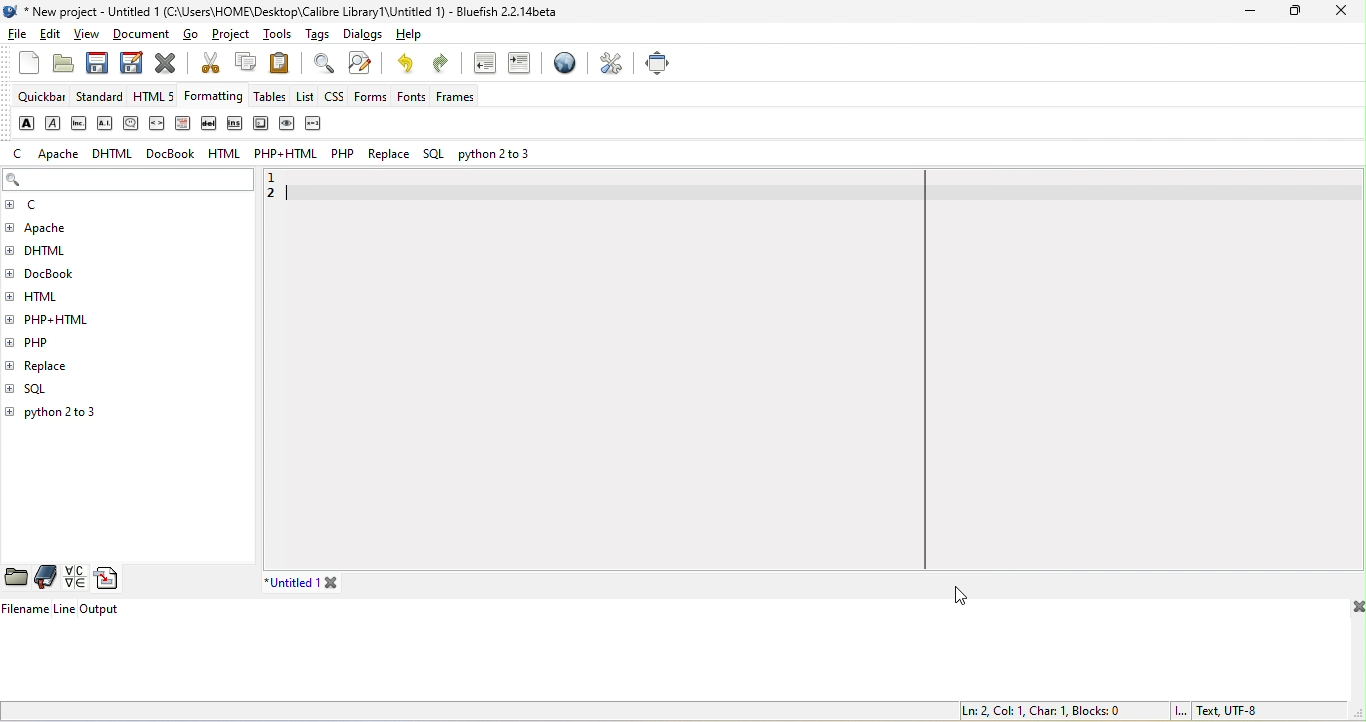 The image size is (1366, 722). I want to click on unindent, so click(482, 65).